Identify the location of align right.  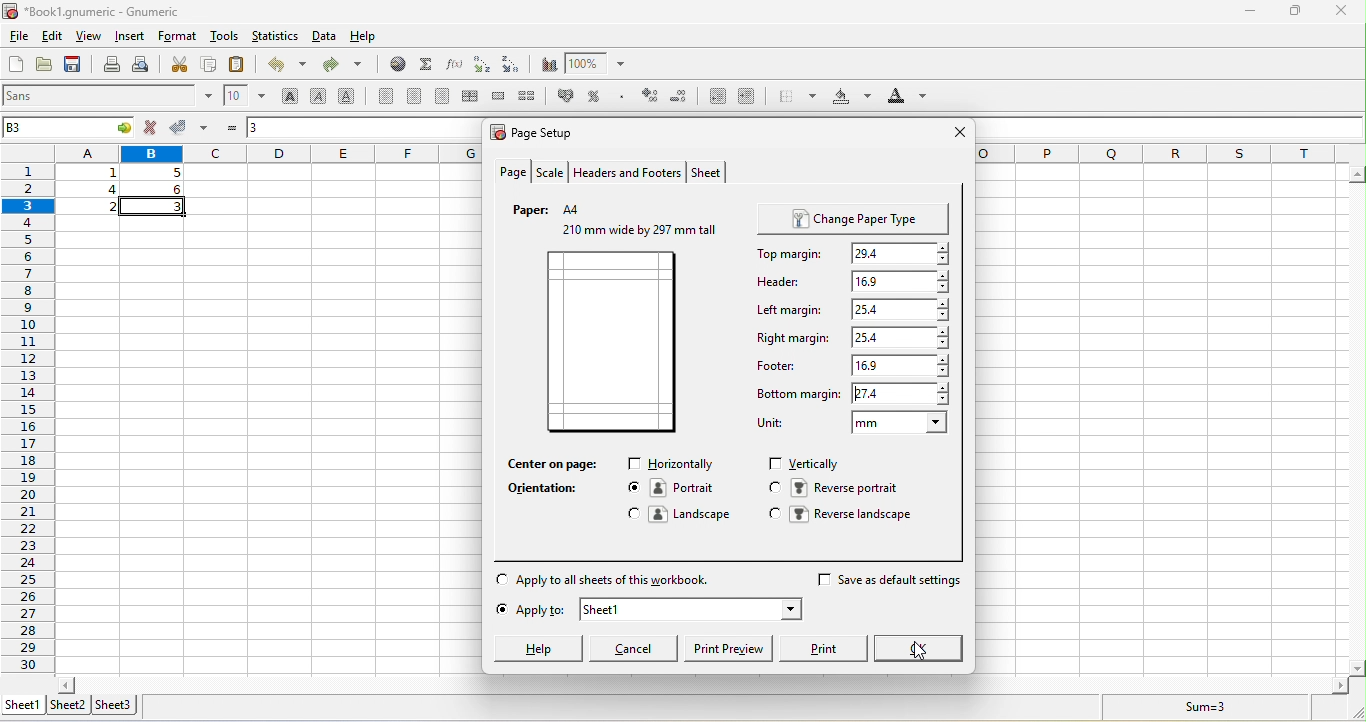
(444, 97).